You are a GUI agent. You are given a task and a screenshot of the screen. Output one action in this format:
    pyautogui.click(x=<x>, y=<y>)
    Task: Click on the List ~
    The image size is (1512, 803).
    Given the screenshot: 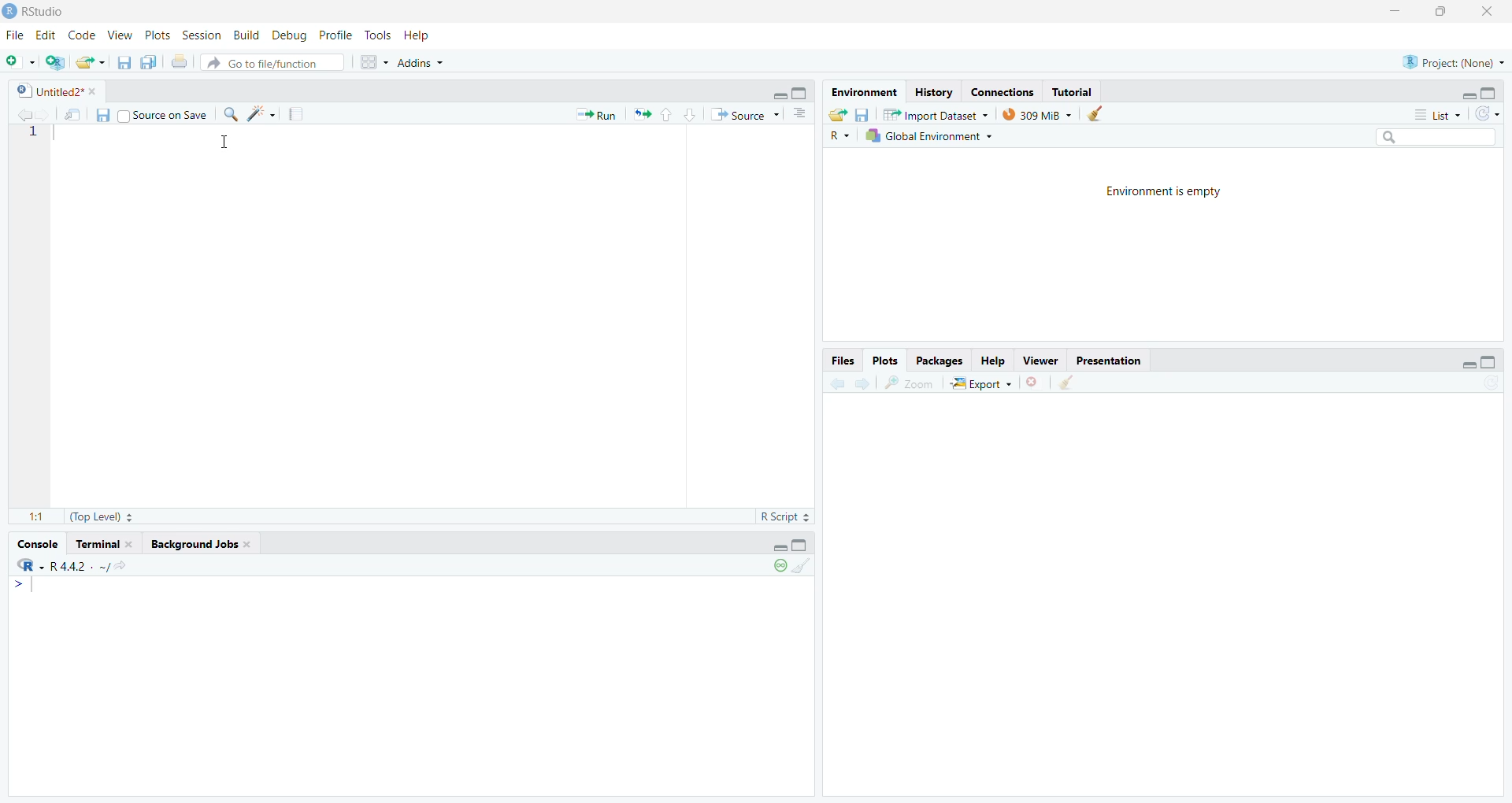 What is the action you would take?
    pyautogui.click(x=1432, y=113)
    